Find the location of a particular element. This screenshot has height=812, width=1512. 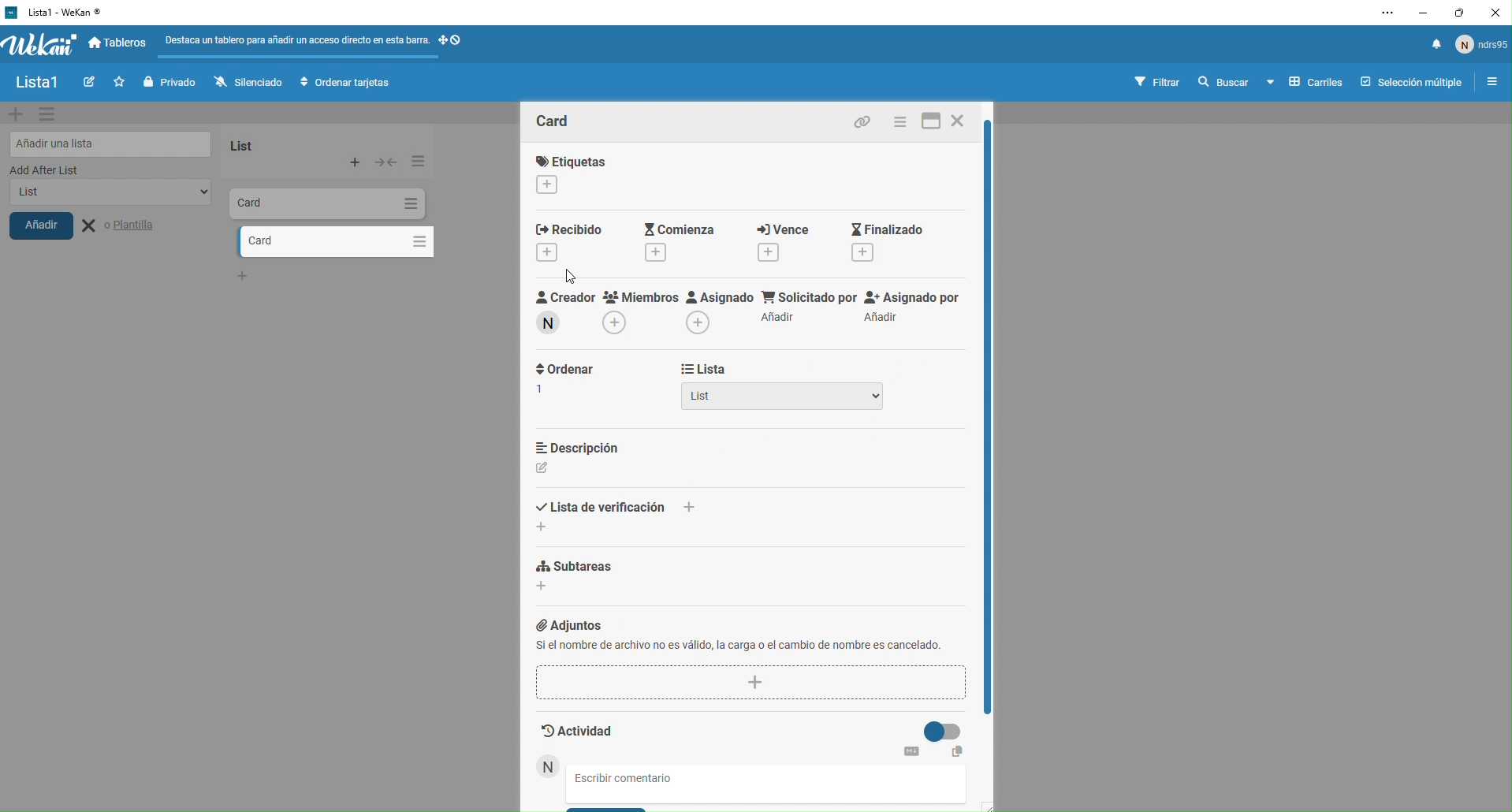

settings is located at coordinates (51, 115).